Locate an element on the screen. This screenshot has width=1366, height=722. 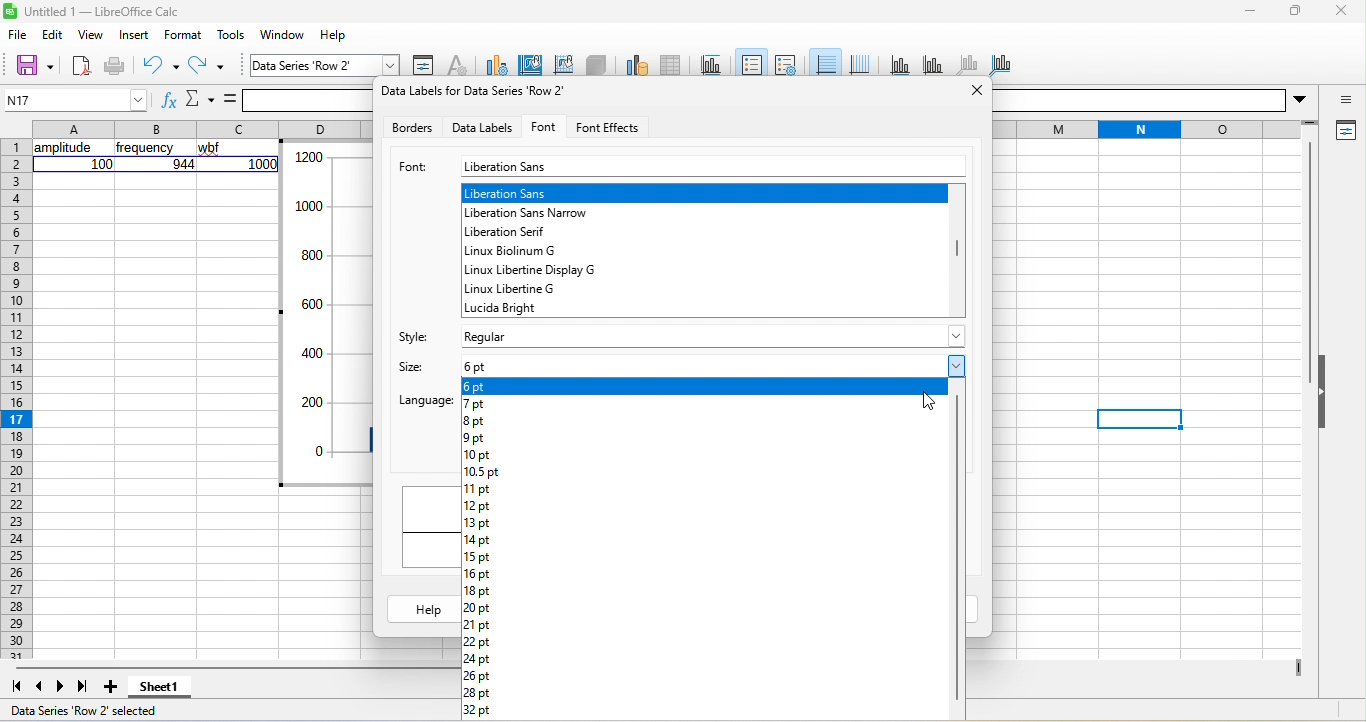
size is located at coordinates (406, 367).